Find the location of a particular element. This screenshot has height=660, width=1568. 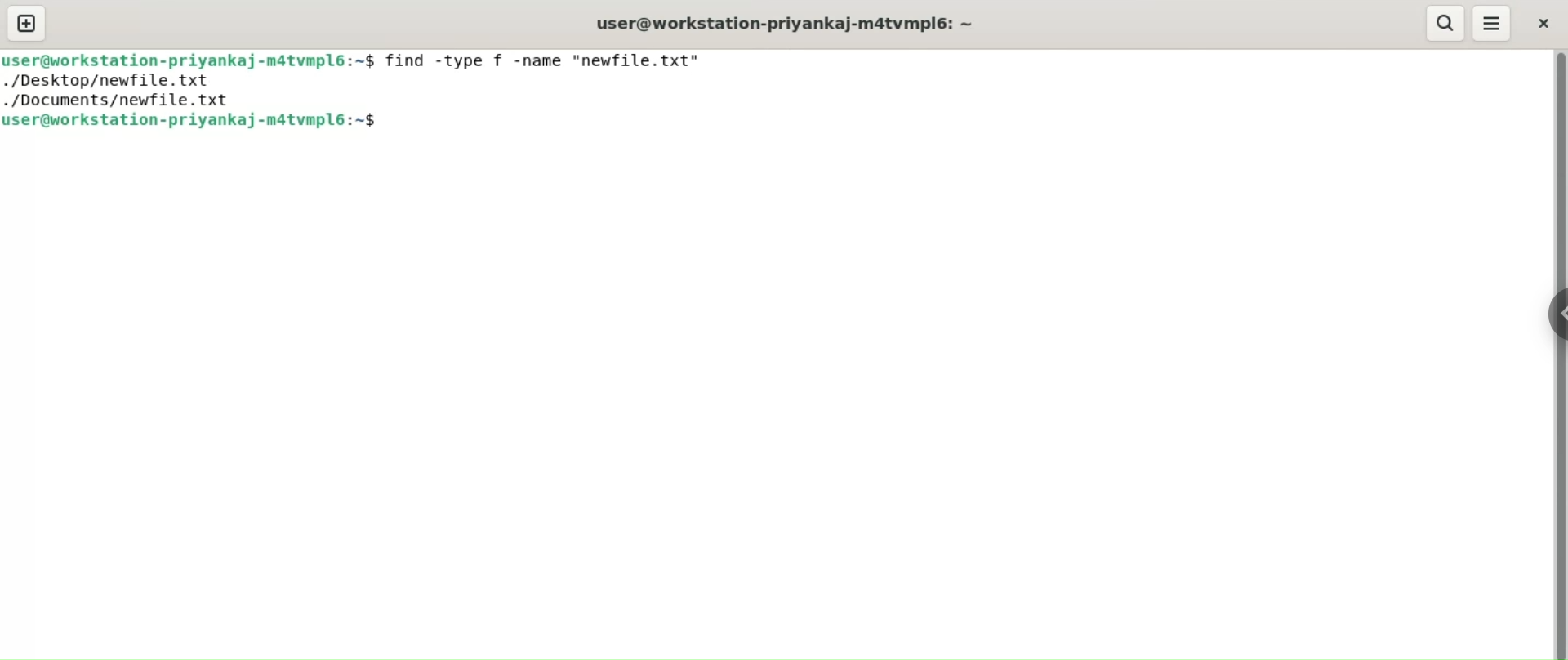

close is located at coordinates (1546, 25).